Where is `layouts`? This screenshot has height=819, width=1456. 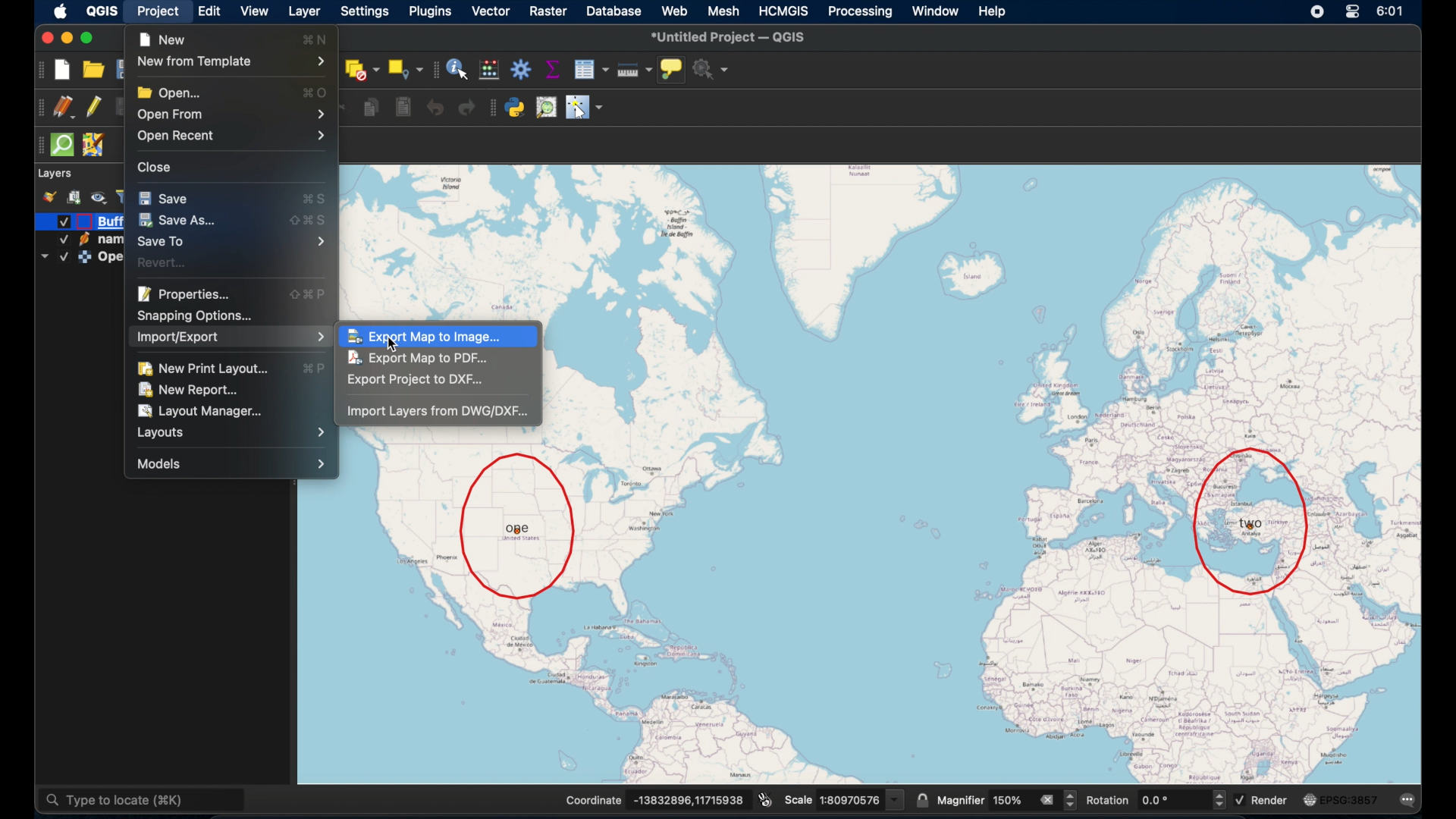 layouts is located at coordinates (235, 431).